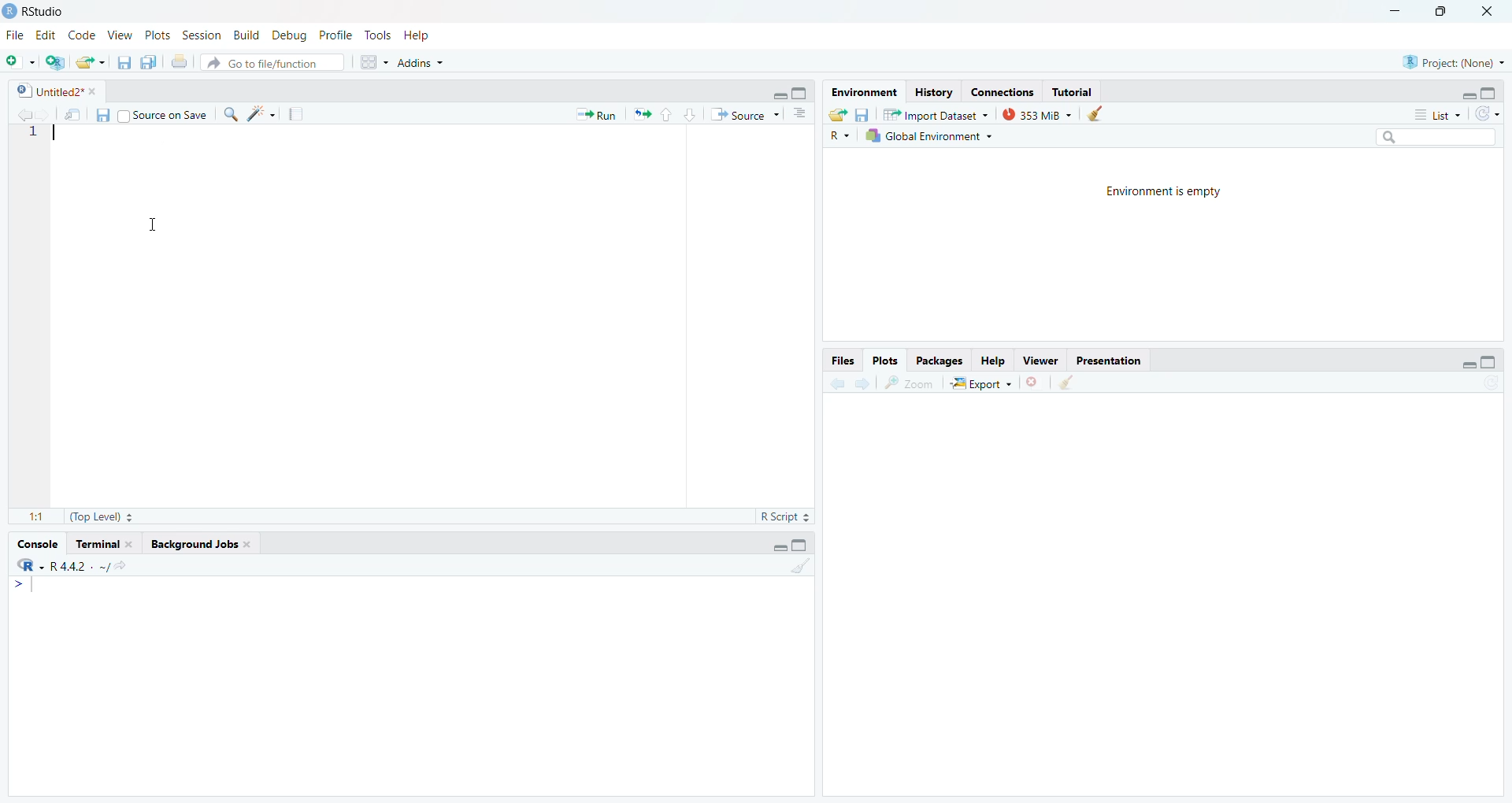  What do you see at coordinates (156, 35) in the screenshot?
I see `Plots` at bounding box center [156, 35].